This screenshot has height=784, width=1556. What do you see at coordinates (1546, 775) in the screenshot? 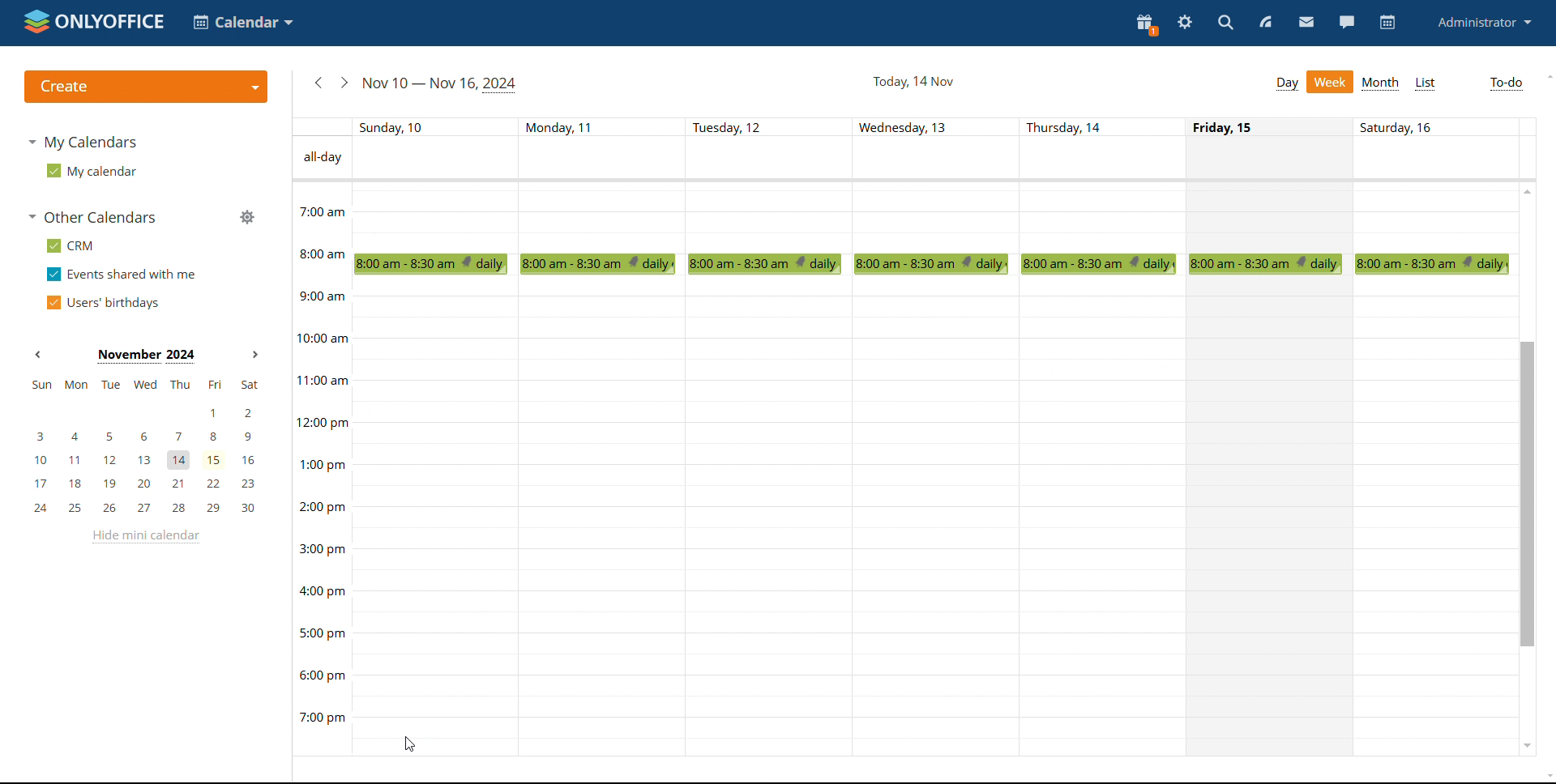
I see `scroll down` at bounding box center [1546, 775].